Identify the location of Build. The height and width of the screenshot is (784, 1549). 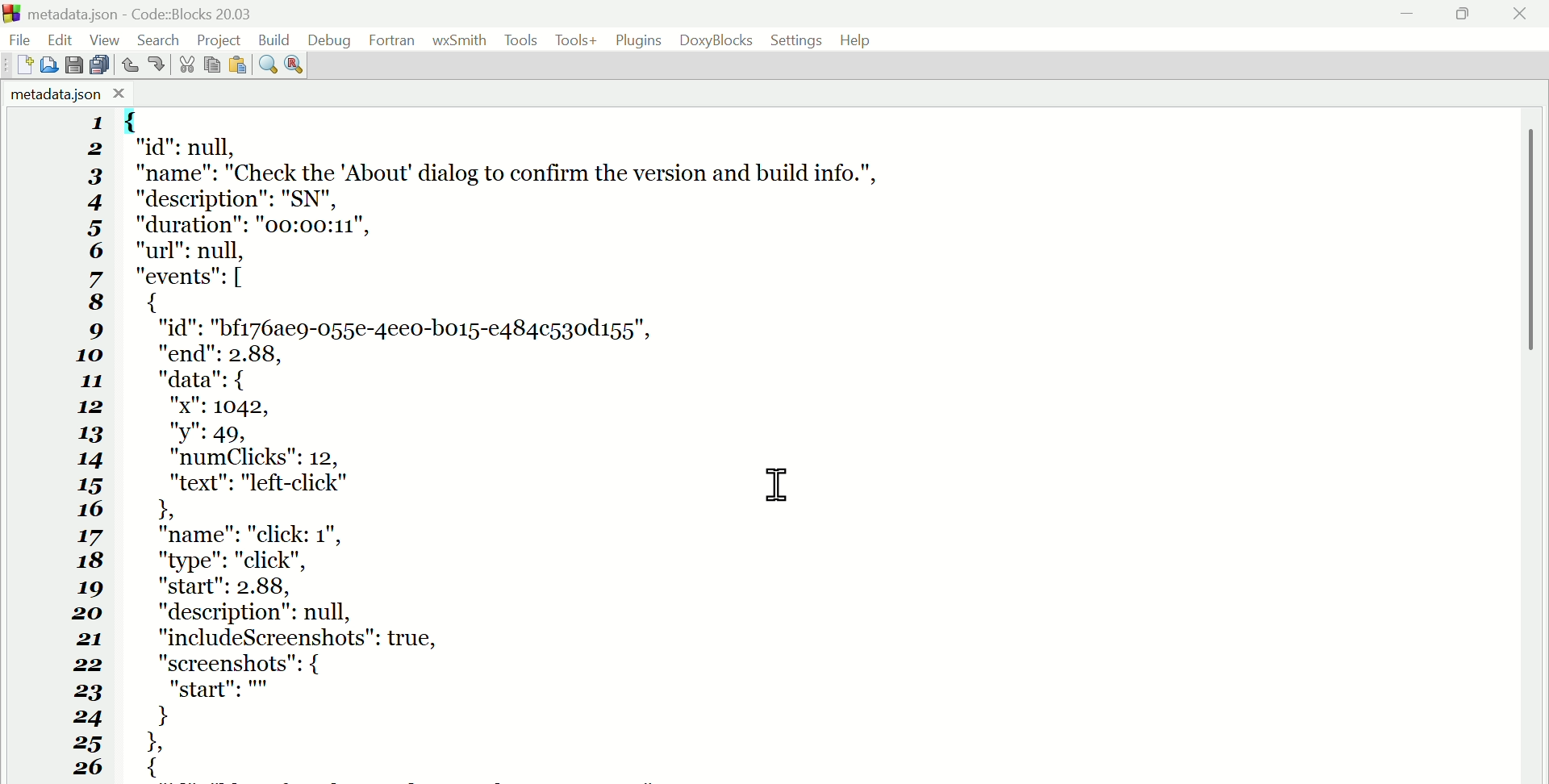
(274, 38).